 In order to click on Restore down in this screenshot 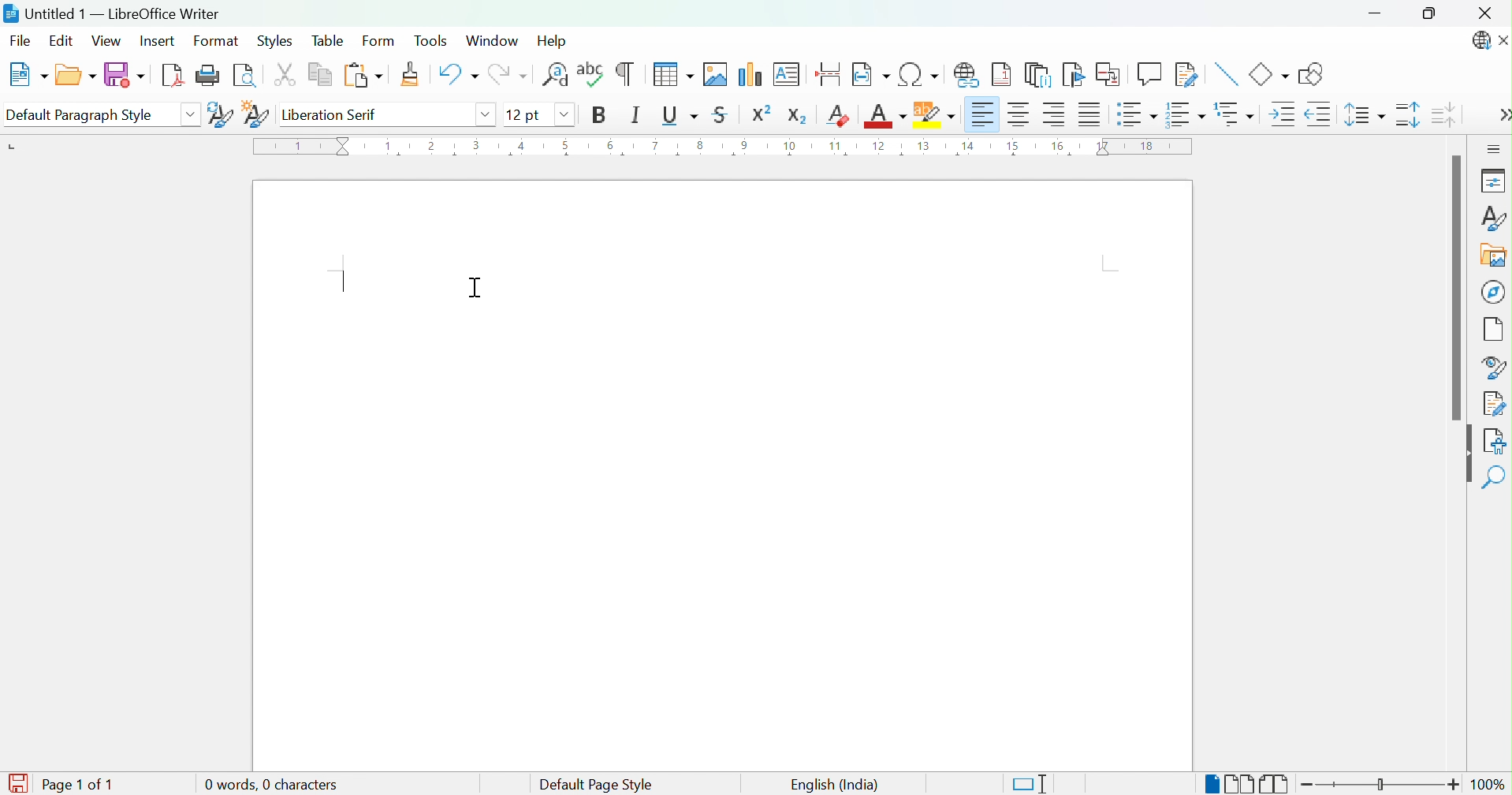, I will do `click(1431, 15)`.